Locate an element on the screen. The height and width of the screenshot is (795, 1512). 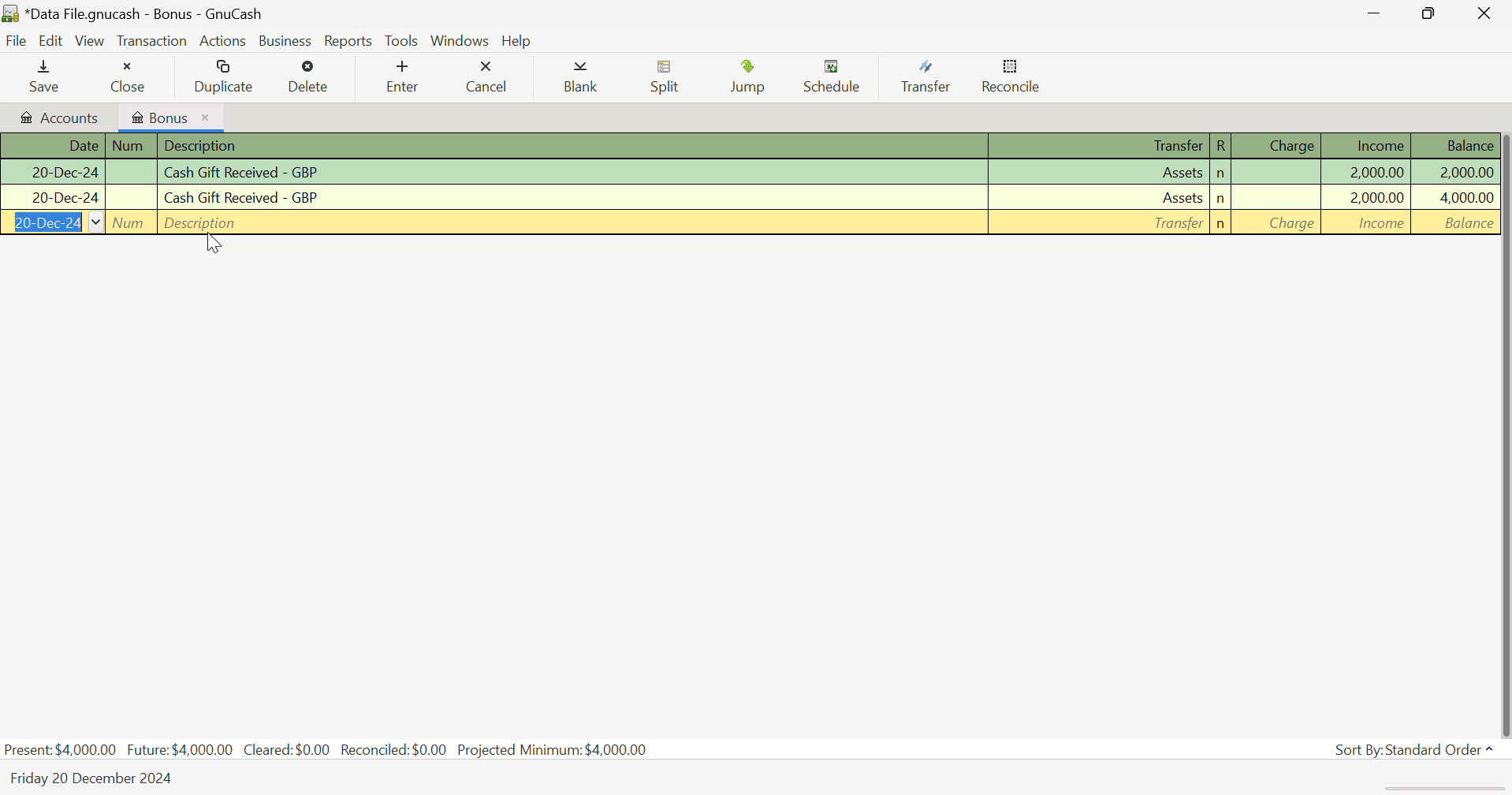
Actions is located at coordinates (222, 40).